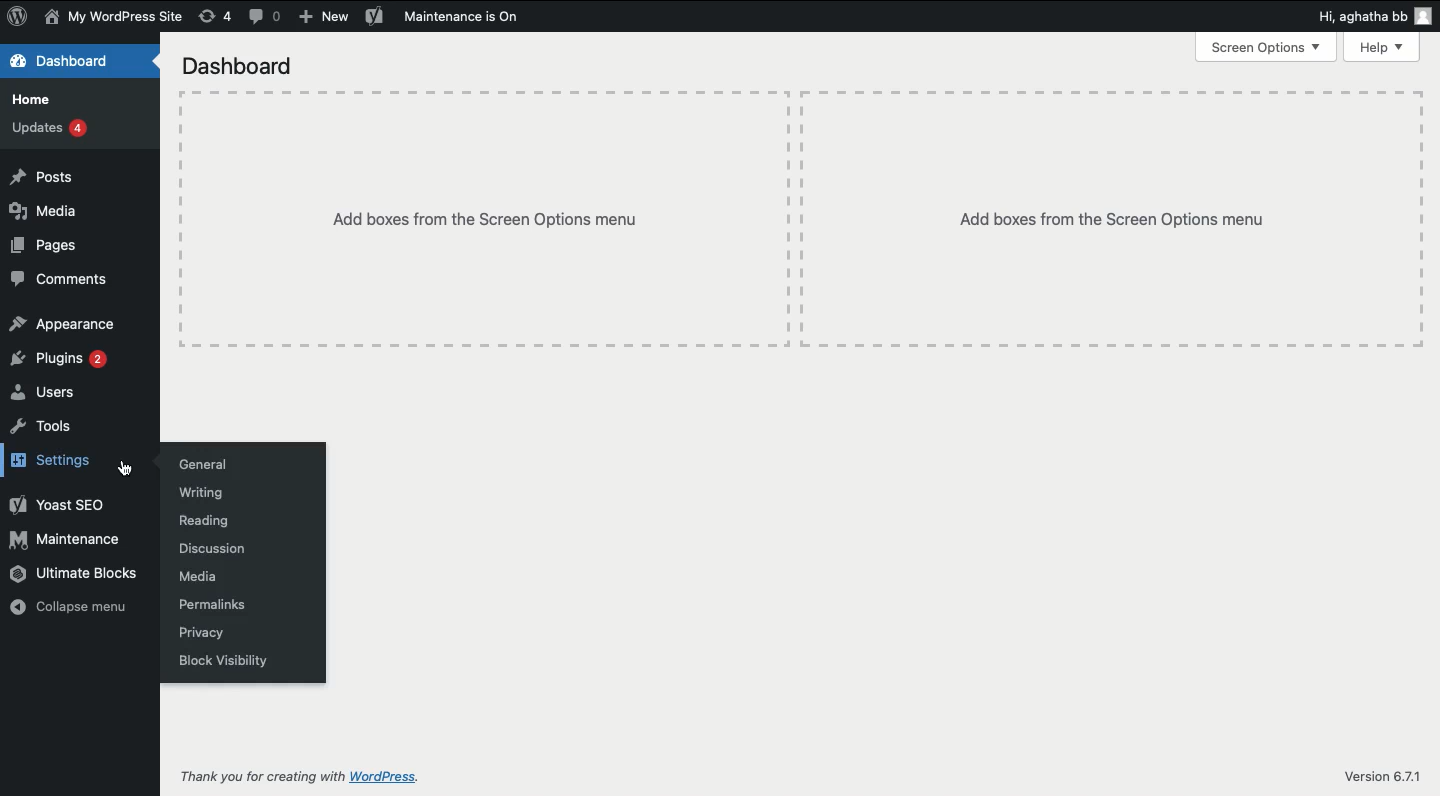 This screenshot has width=1440, height=796. Describe the element at coordinates (1264, 47) in the screenshot. I see `screen options` at that location.